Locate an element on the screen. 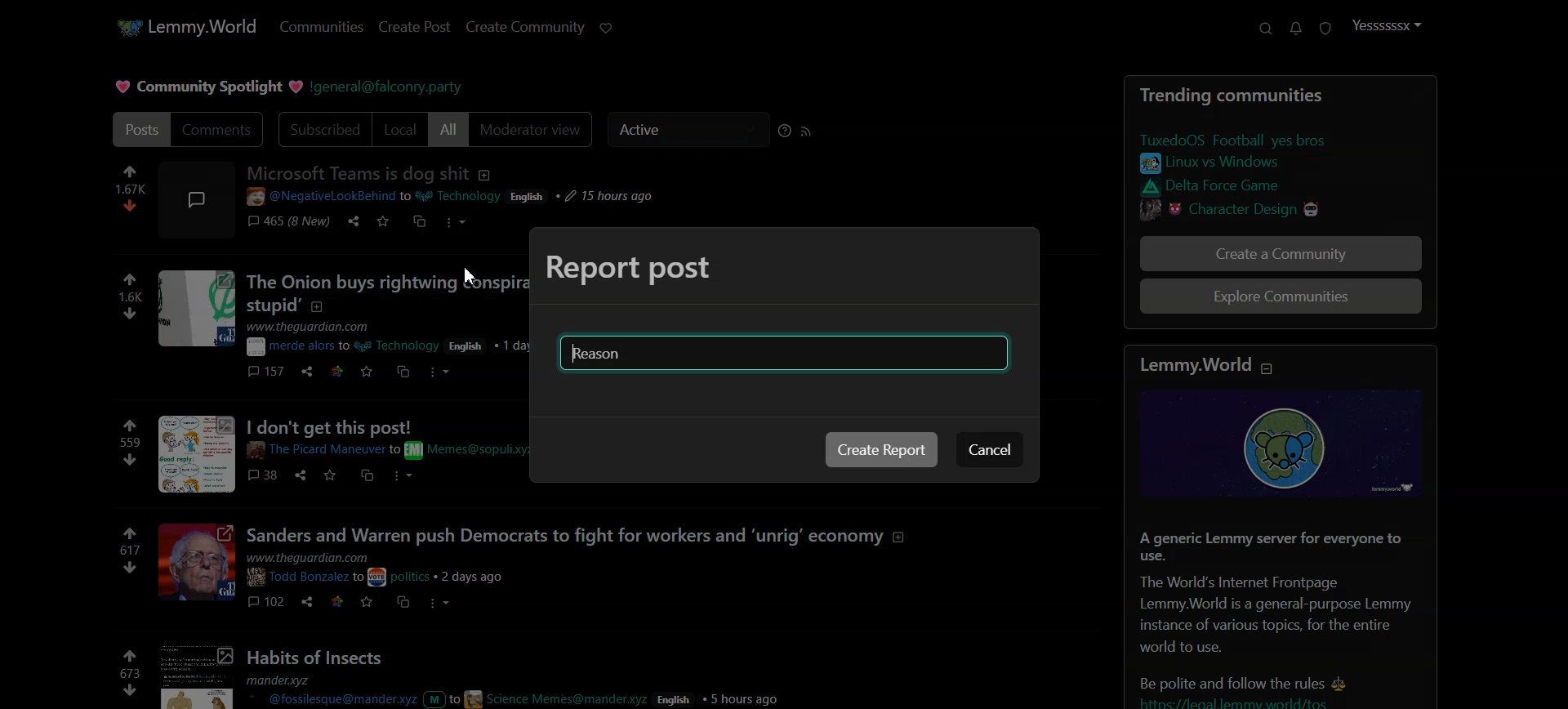 This screenshot has height=709, width=1568. dislike is located at coordinates (134, 314).